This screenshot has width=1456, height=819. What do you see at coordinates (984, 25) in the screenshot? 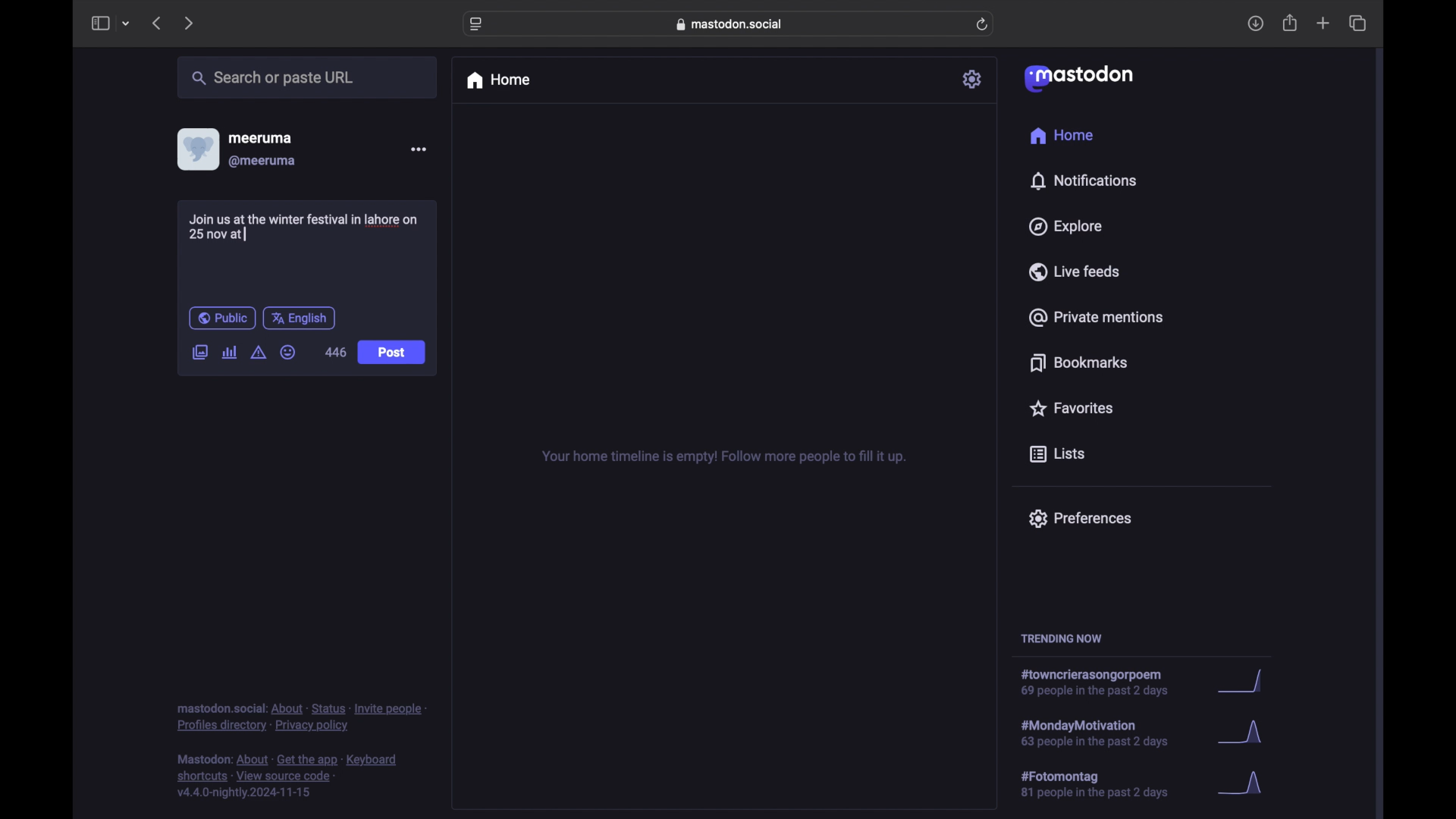
I see `refresh` at bounding box center [984, 25].